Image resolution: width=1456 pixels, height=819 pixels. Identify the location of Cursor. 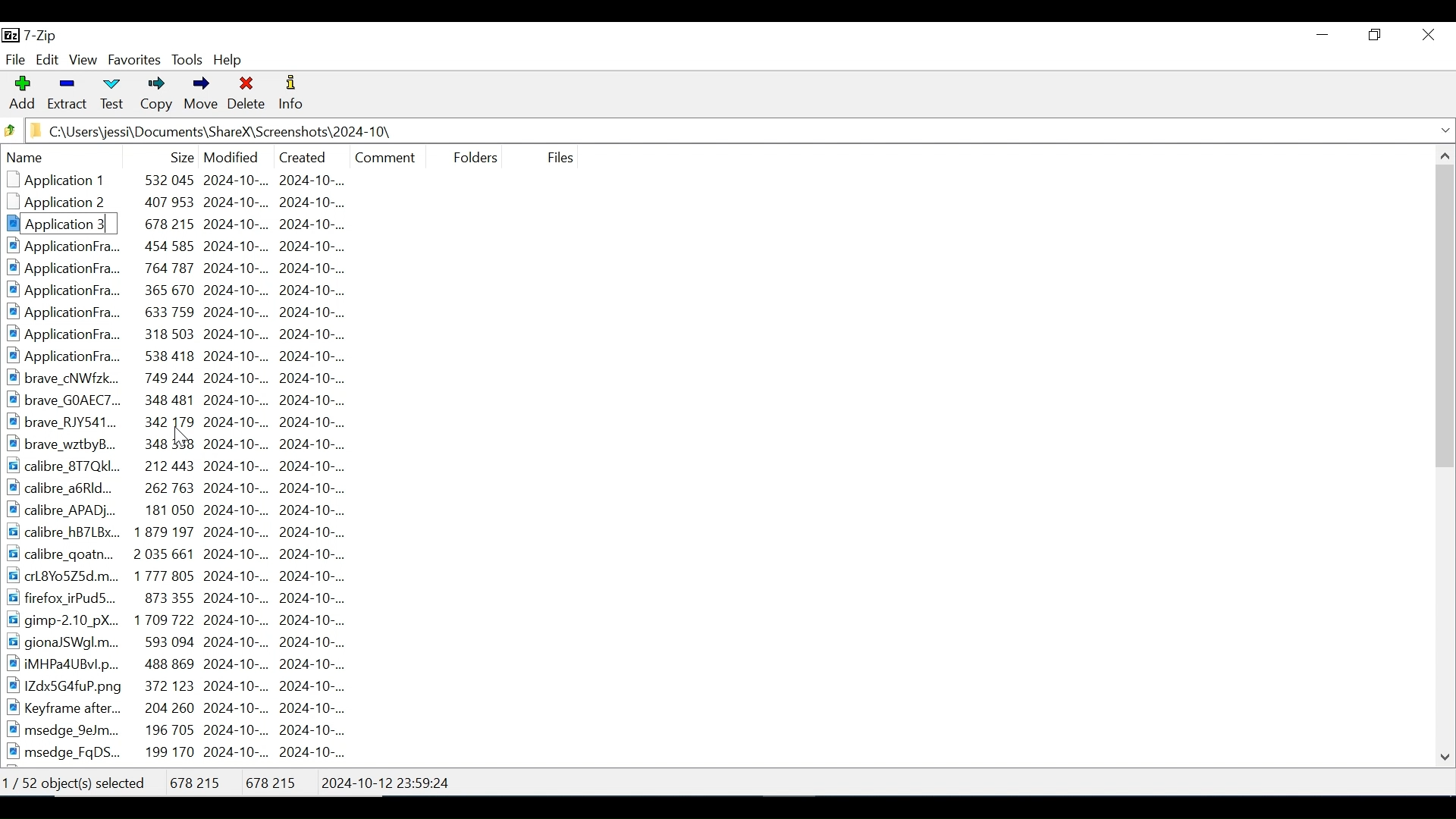
(182, 438).